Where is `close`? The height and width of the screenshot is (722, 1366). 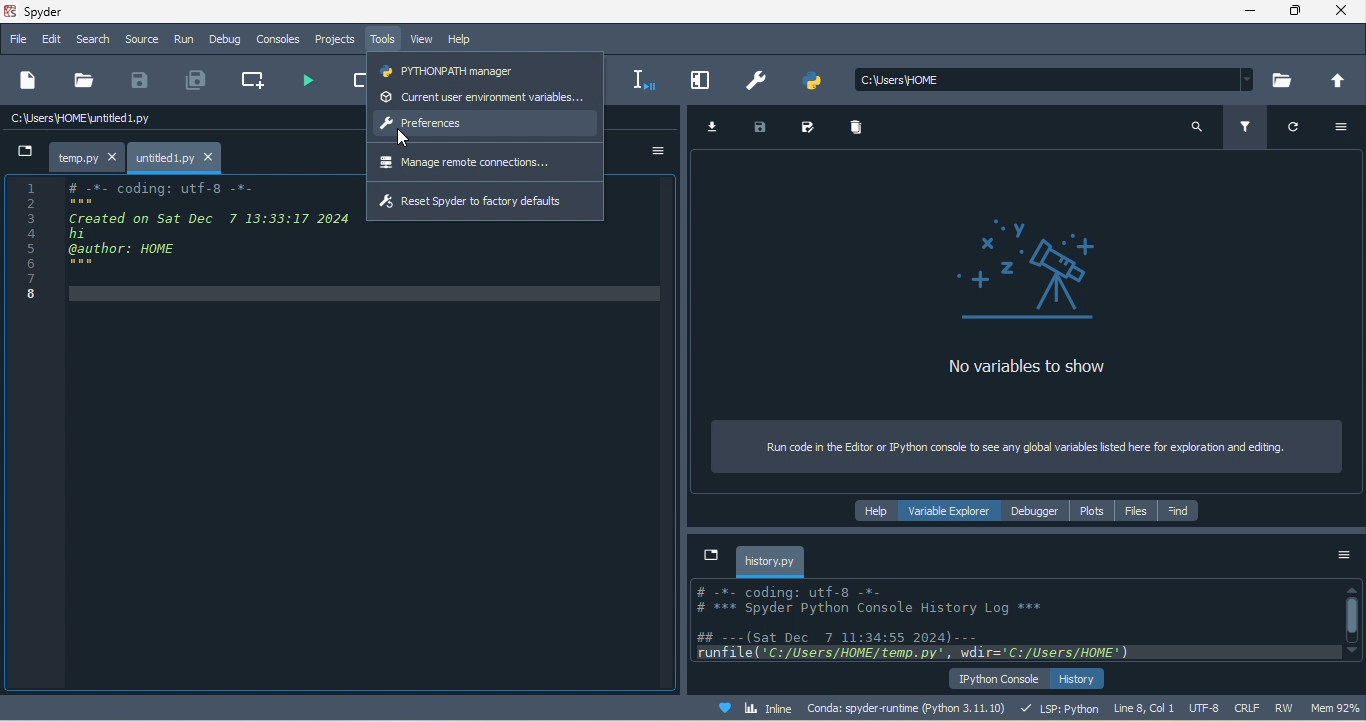 close is located at coordinates (1341, 13).